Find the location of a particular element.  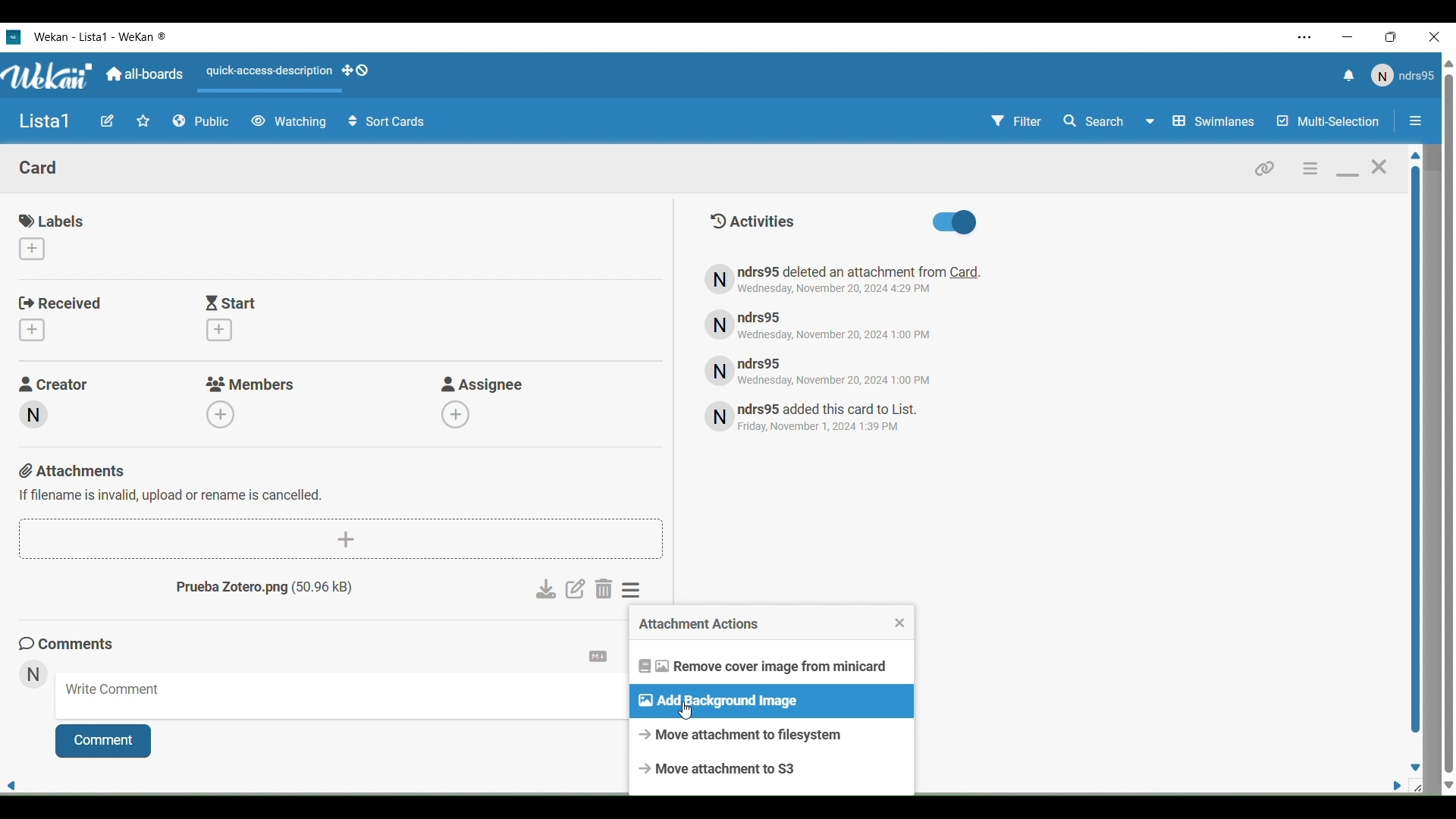

Attachments is located at coordinates (173, 482).